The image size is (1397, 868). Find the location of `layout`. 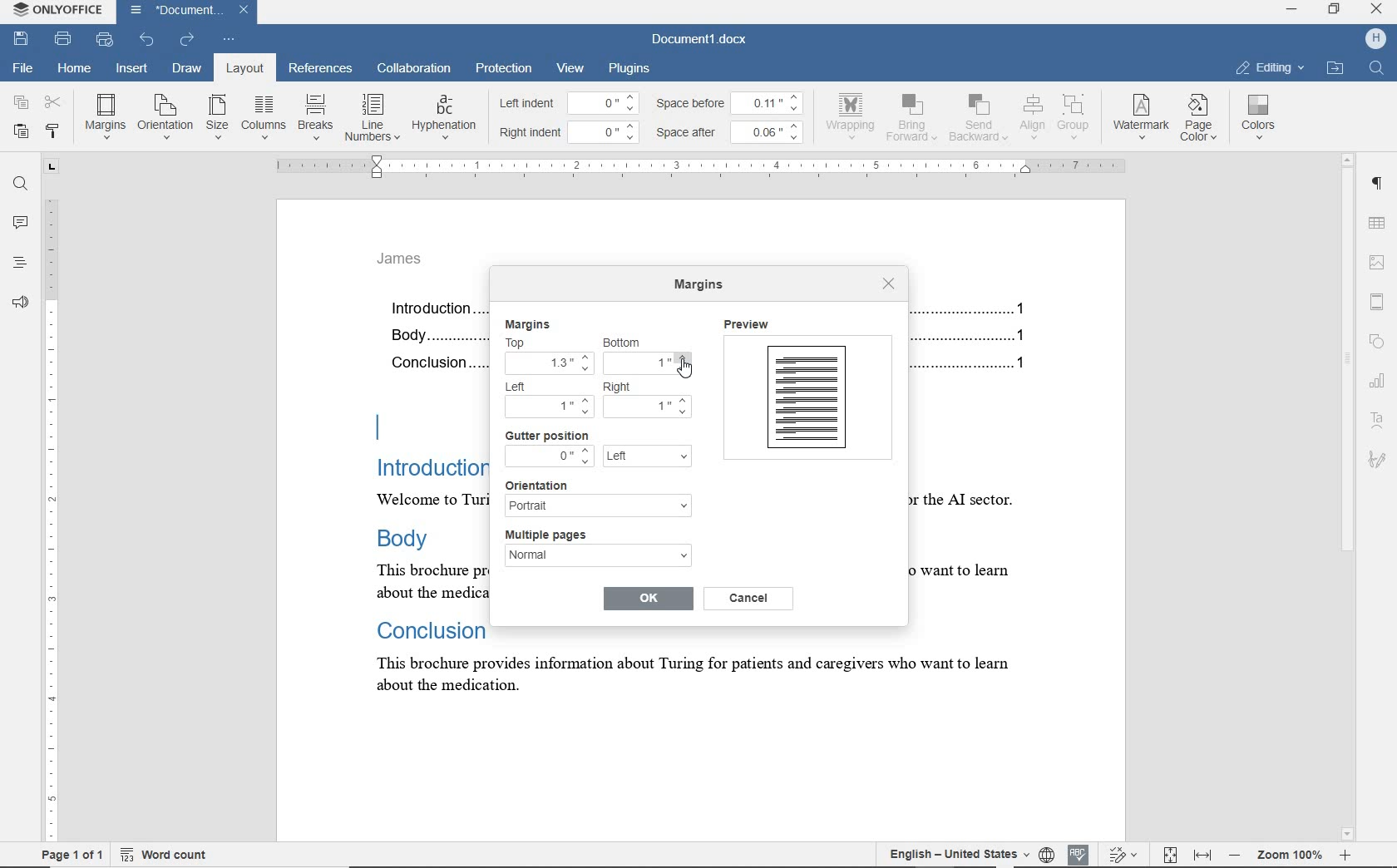

layout is located at coordinates (241, 68).